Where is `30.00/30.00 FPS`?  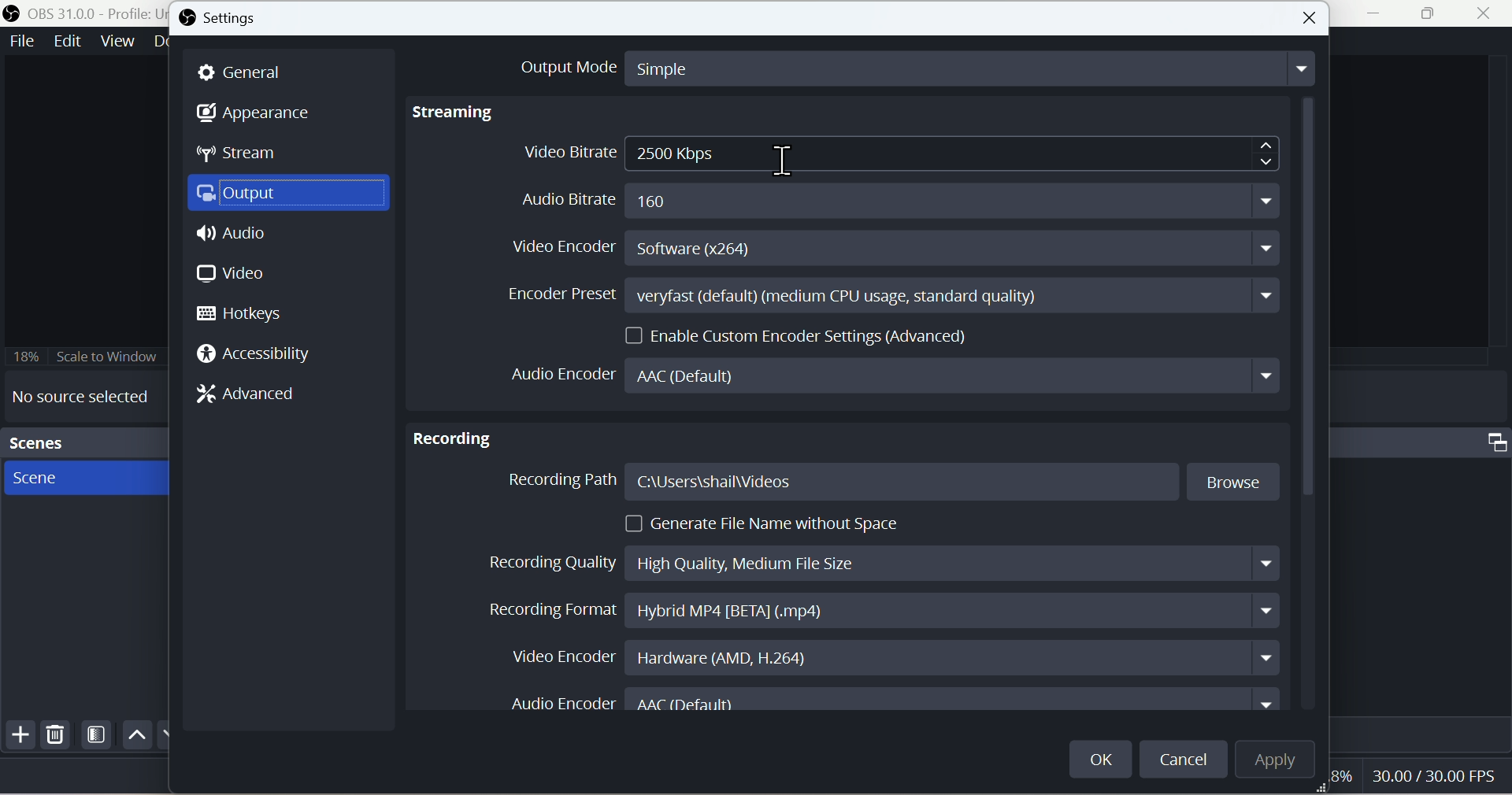
30.00/30.00 FPS is located at coordinates (1429, 775).